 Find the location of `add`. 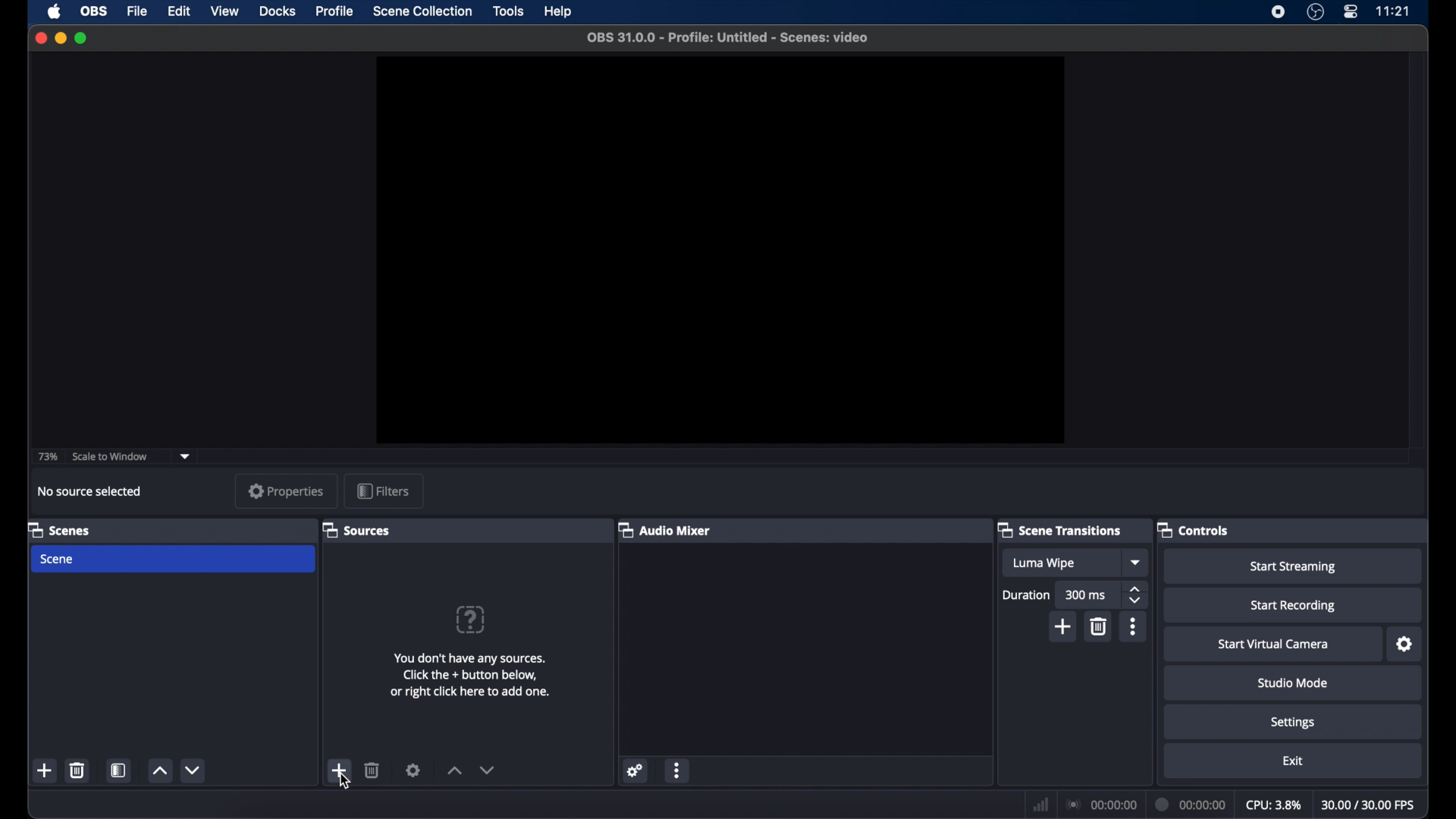

add is located at coordinates (340, 770).